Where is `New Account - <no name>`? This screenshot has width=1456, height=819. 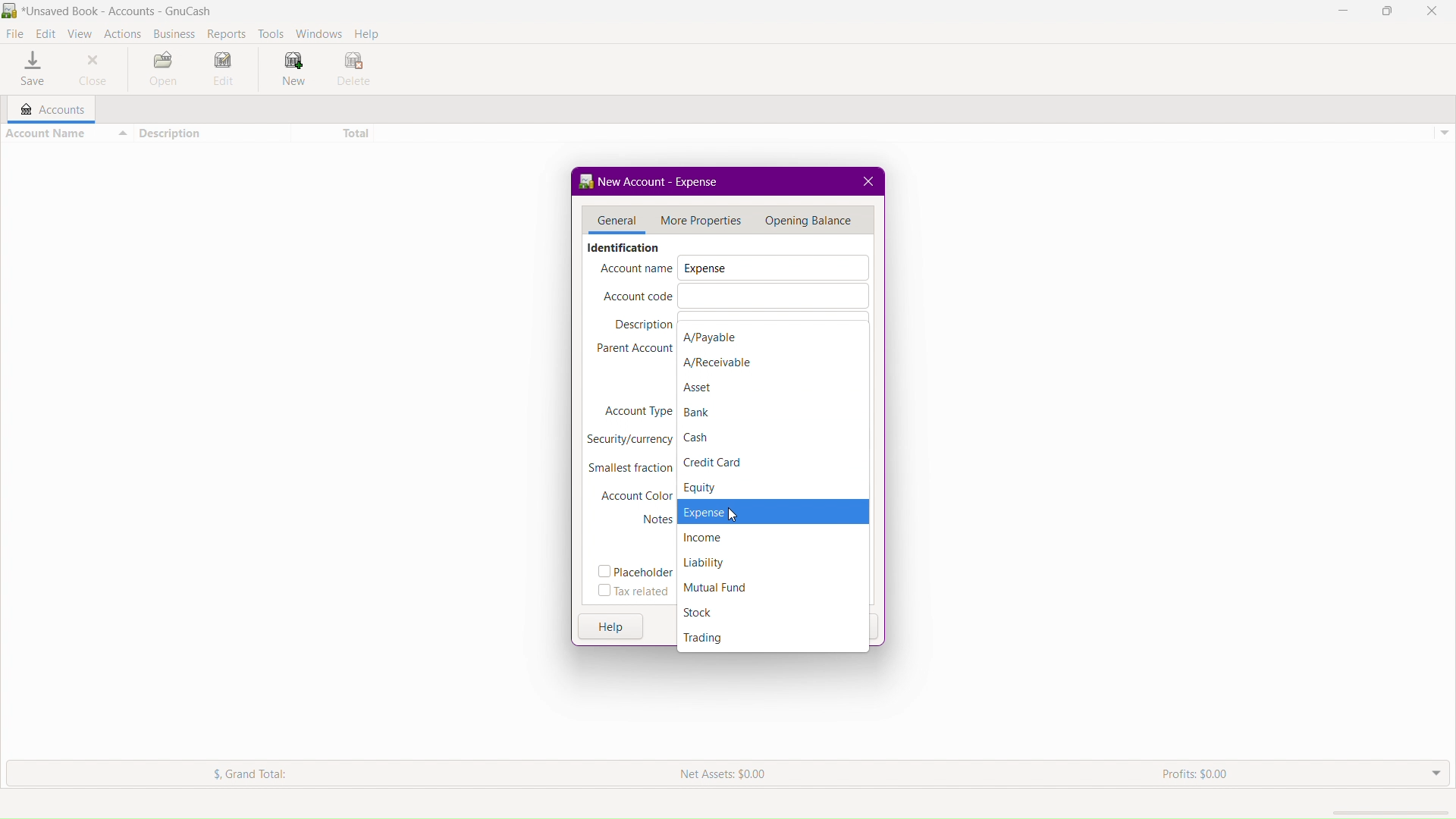 New Account - <no name> is located at coordinates (667, 180).